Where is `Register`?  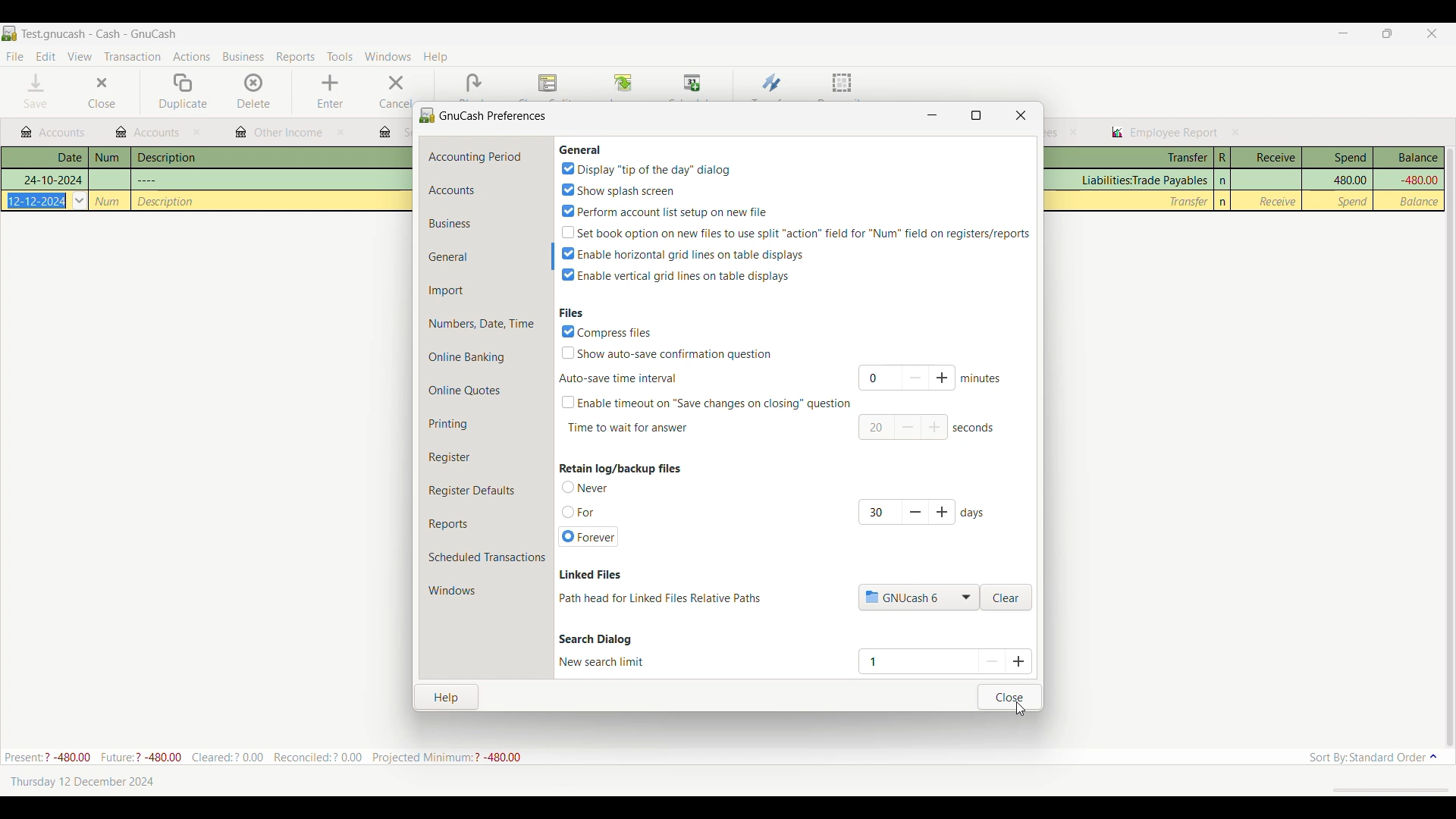
Register is located at coordinates (485, 457).